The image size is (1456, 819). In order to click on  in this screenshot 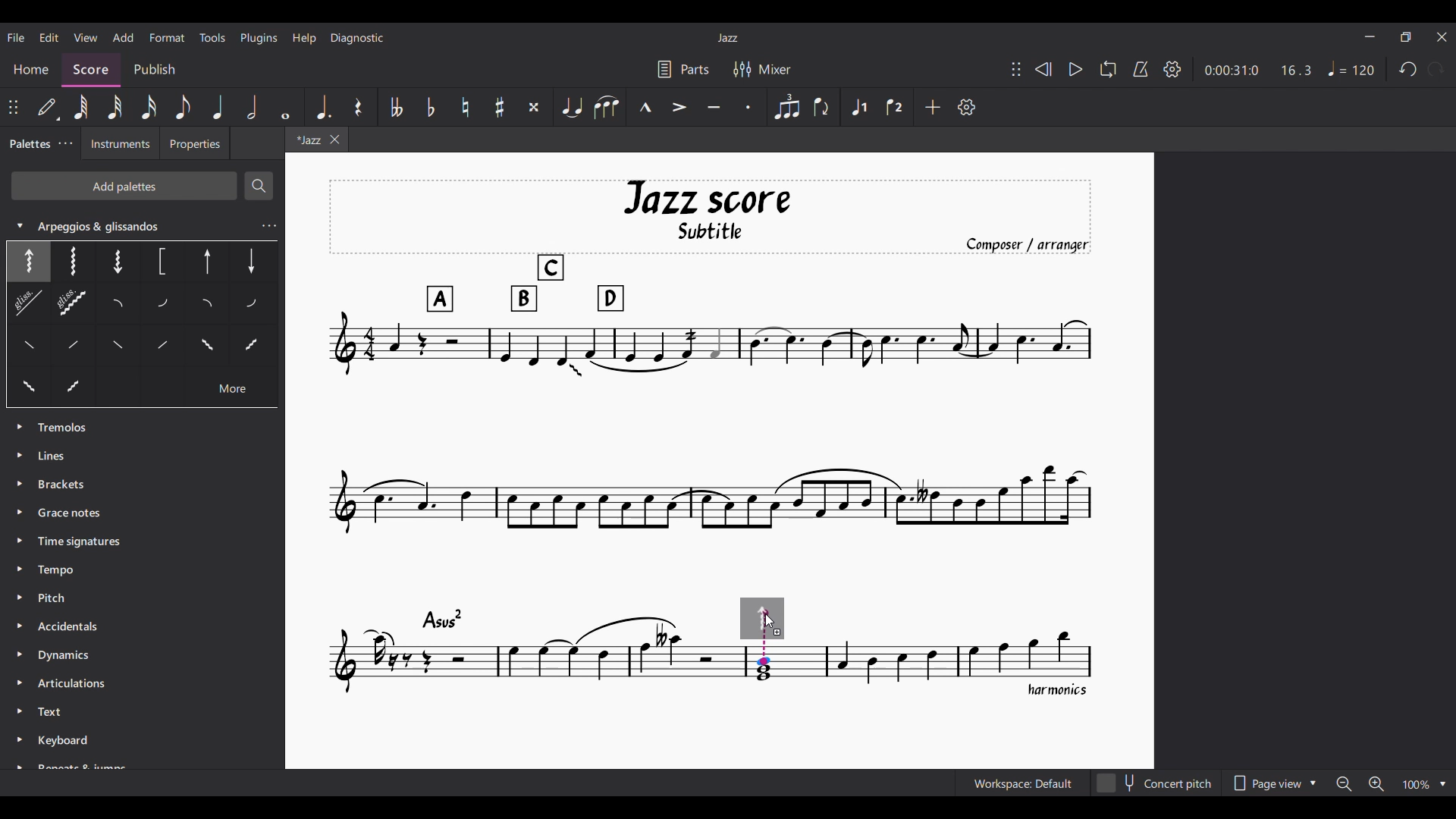, I will do `click(67, 261)`.